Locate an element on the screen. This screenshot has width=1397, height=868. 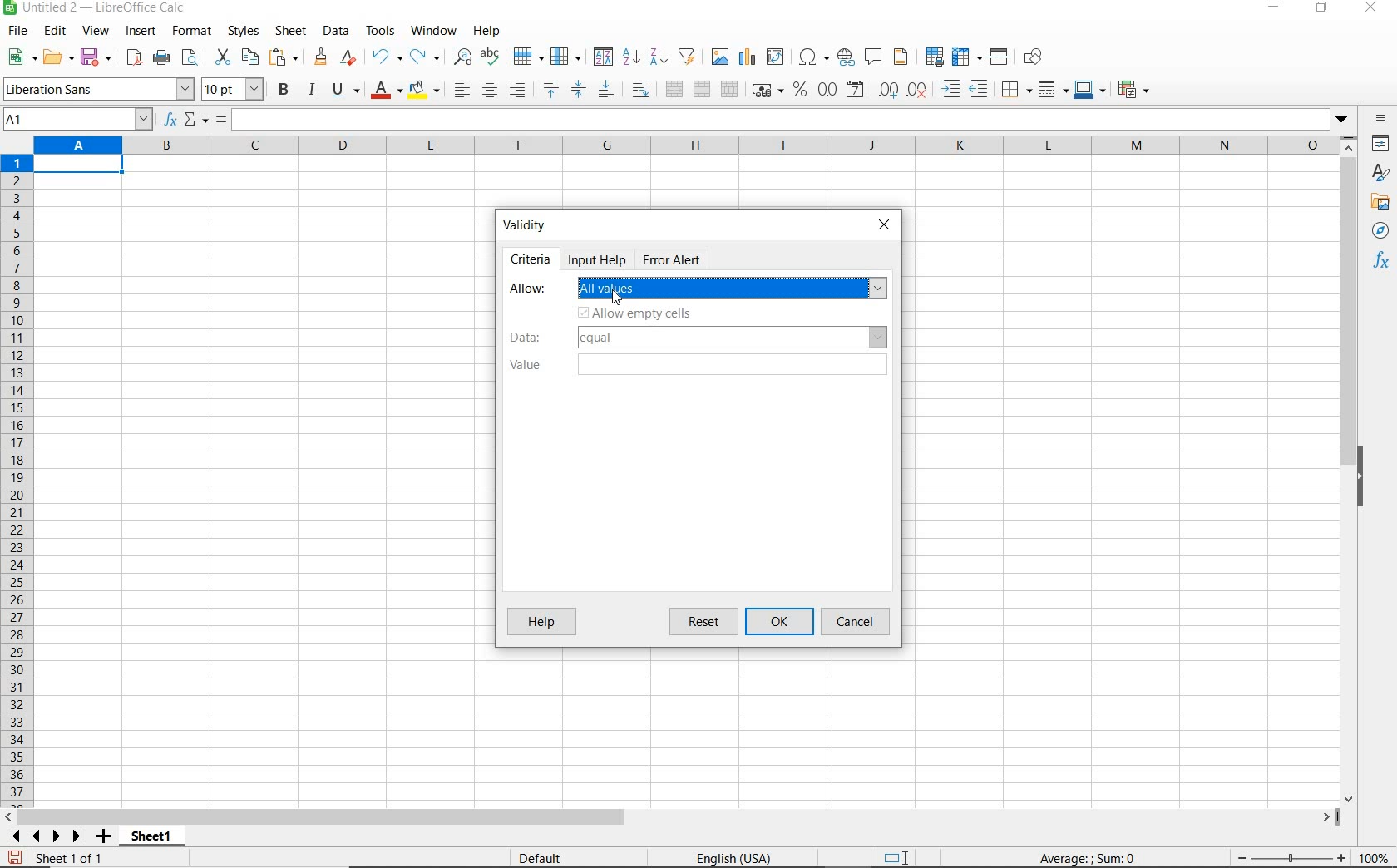
column is located at coordinates (567, 57).